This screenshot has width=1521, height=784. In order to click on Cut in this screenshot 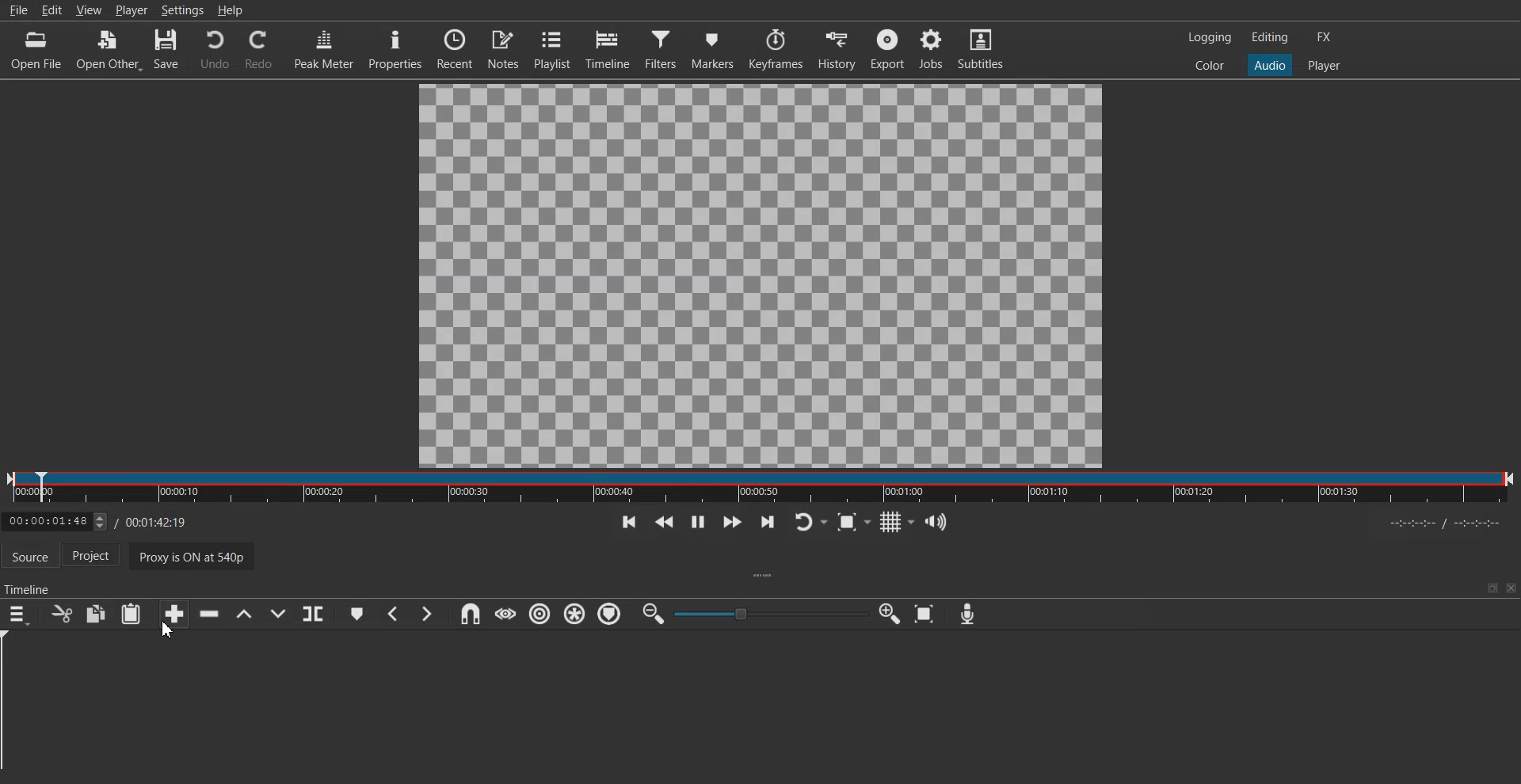, I will do `click(60, 614)`.